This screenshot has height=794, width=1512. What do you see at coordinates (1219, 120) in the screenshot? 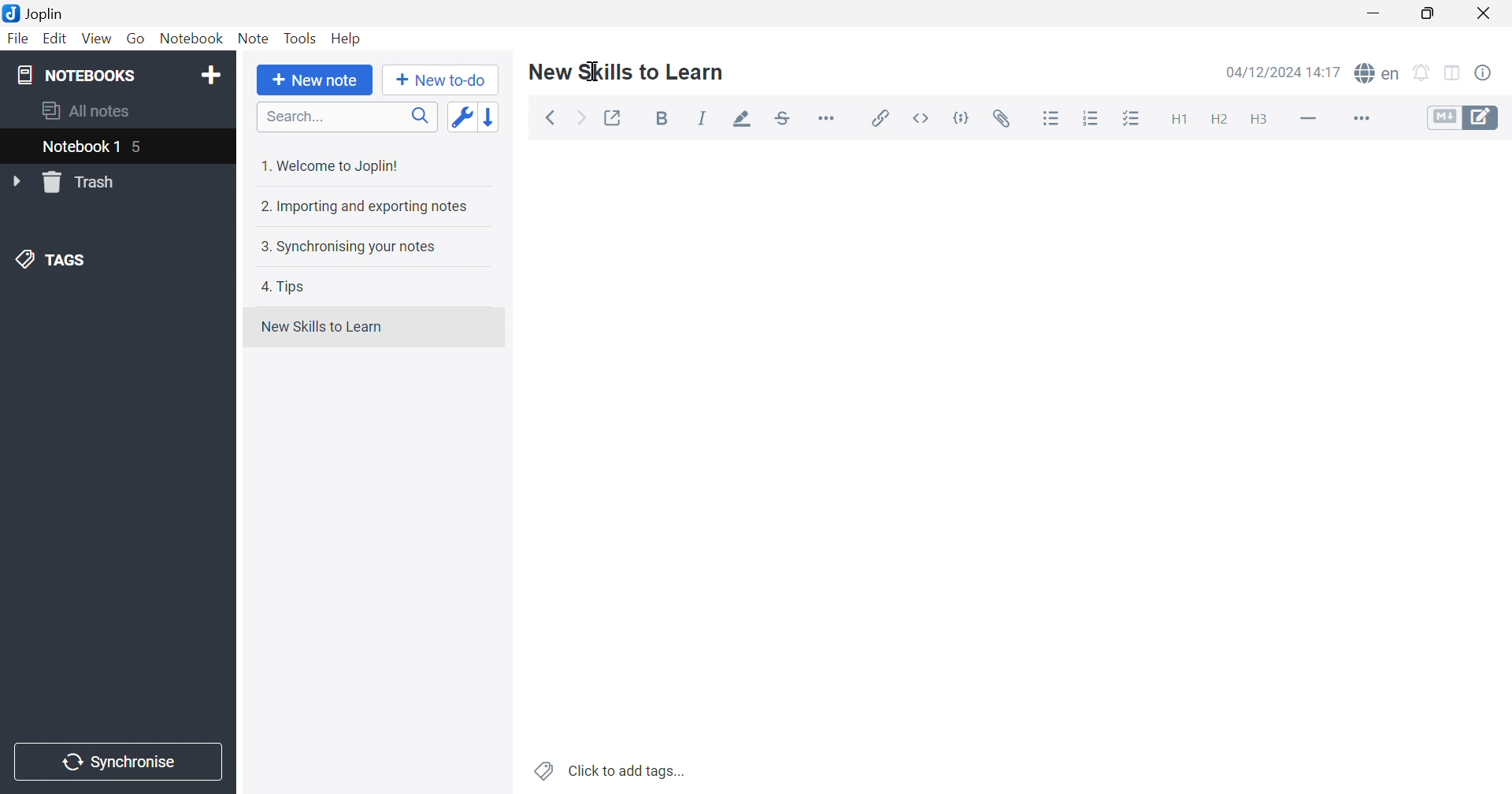
I see `Heading 2` at bounding box center [1219, 120].